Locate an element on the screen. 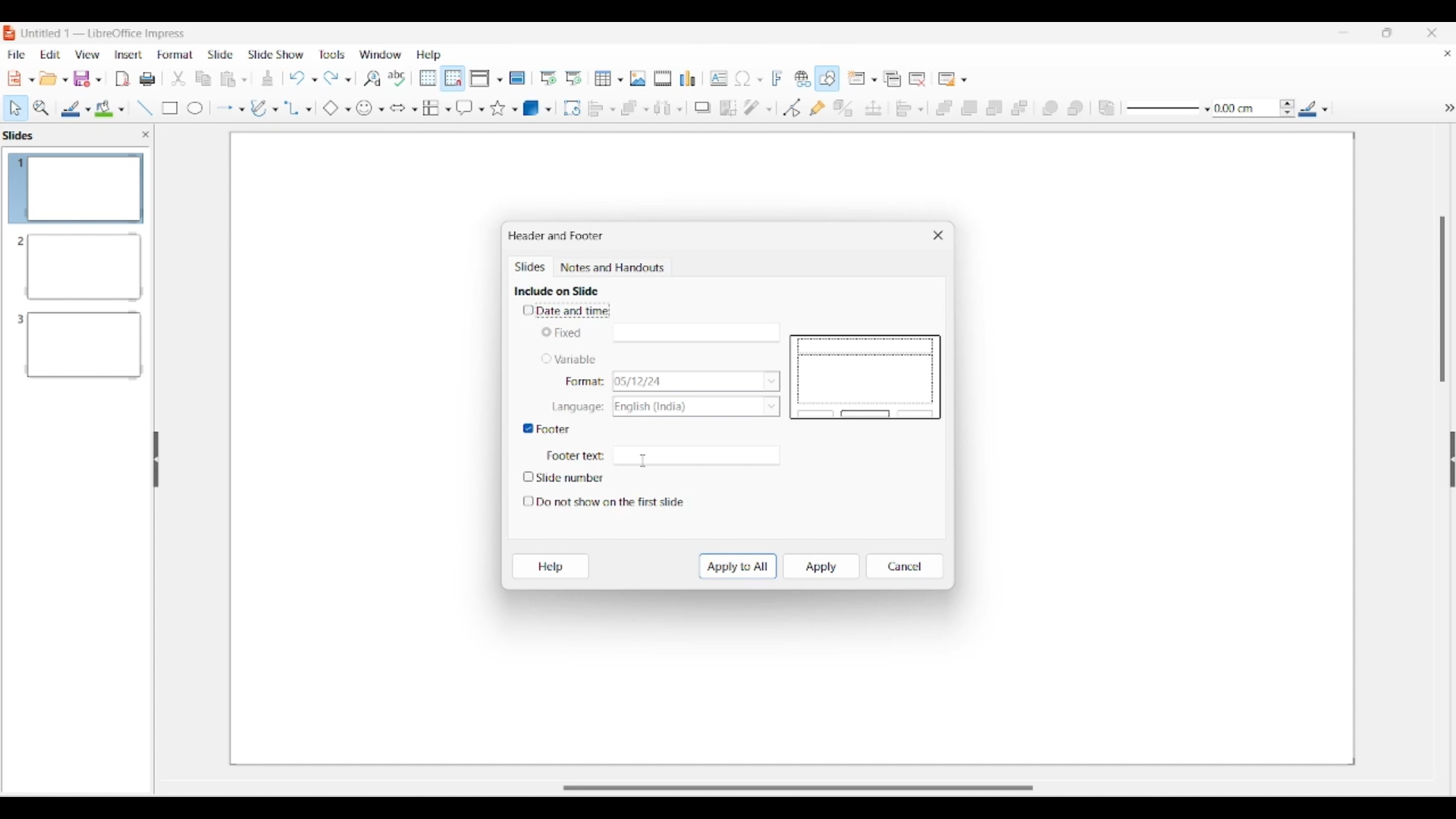 This screenshot has height=819, width=1456. Input line thickness is located at coordinates (1245, 108).